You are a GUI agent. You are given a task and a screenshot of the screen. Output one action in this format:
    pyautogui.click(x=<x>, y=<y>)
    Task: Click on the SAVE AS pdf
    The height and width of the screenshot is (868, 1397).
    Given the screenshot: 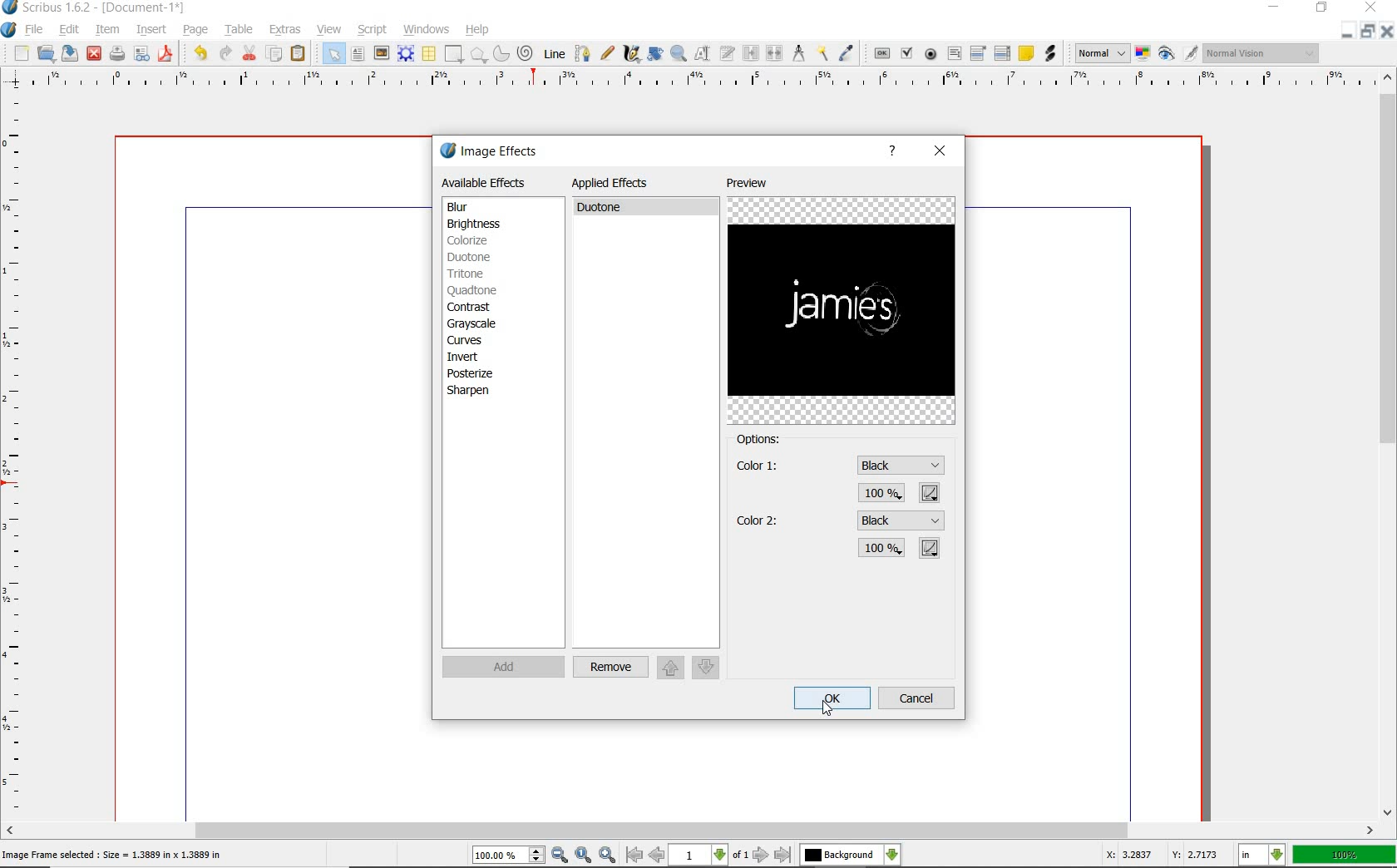 What is the action you would take?
    pyautogui.click(x=167, y=54)
    